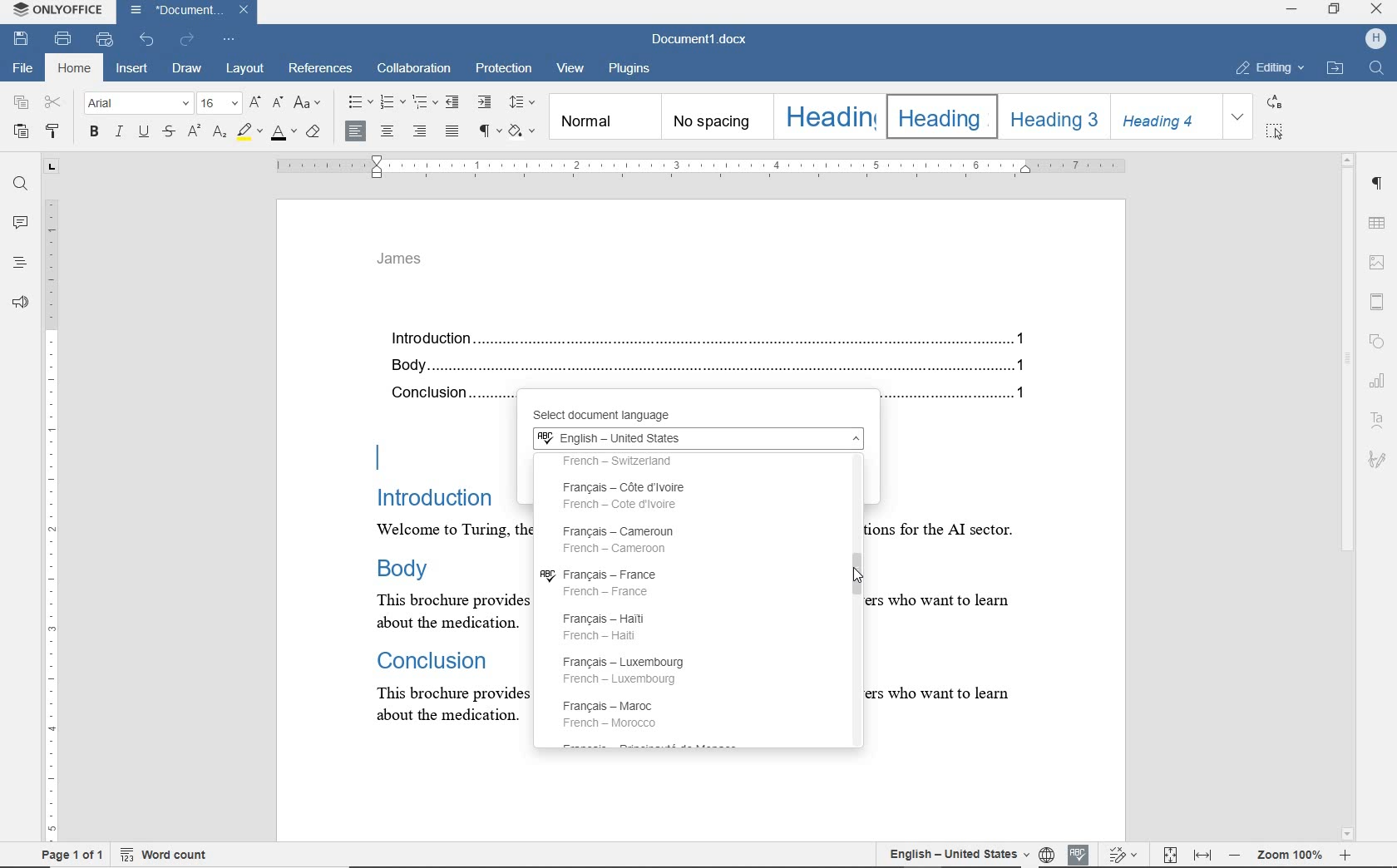 This screenshot has height=868, width=1397. I want to click on strikethrough, so click(169, 133).